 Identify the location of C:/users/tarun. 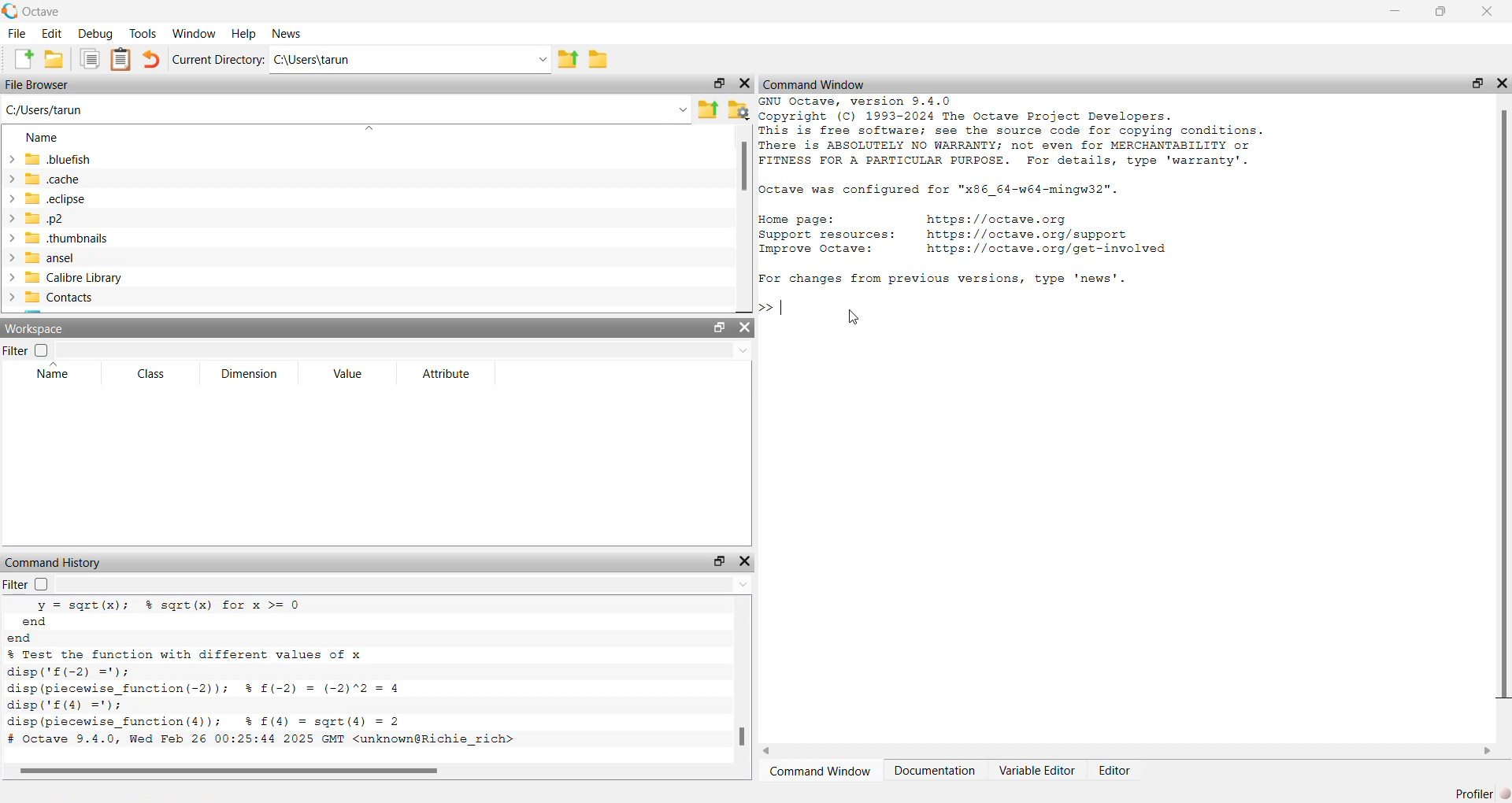
(346, 109).